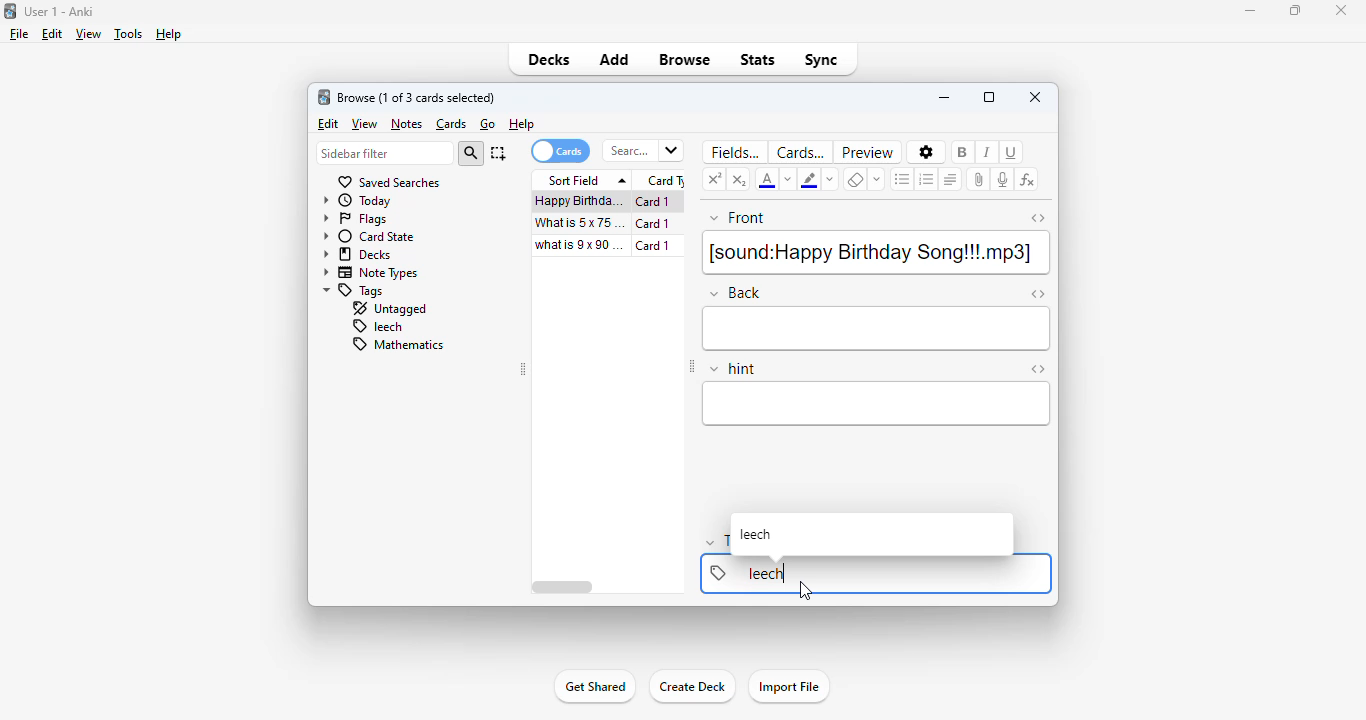 The width and height of the screenshot is (1366, 720). What do you see at coordinates (926, 179) in the screenshot?
I see `ordered list` at bounding box center [926, 179].